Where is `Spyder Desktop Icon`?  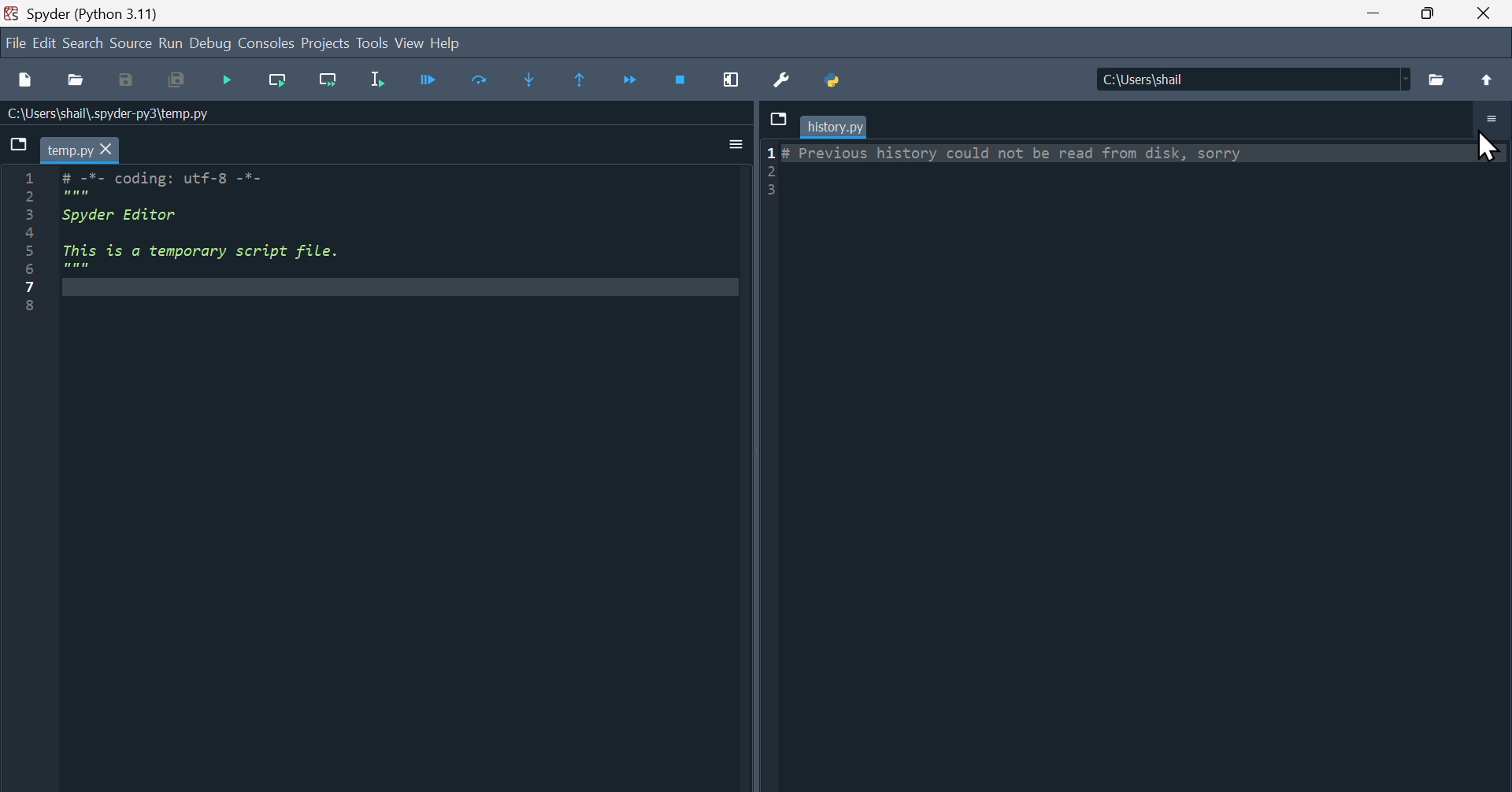
Spyder Desktop Icon is located at coordinates (9, 13).